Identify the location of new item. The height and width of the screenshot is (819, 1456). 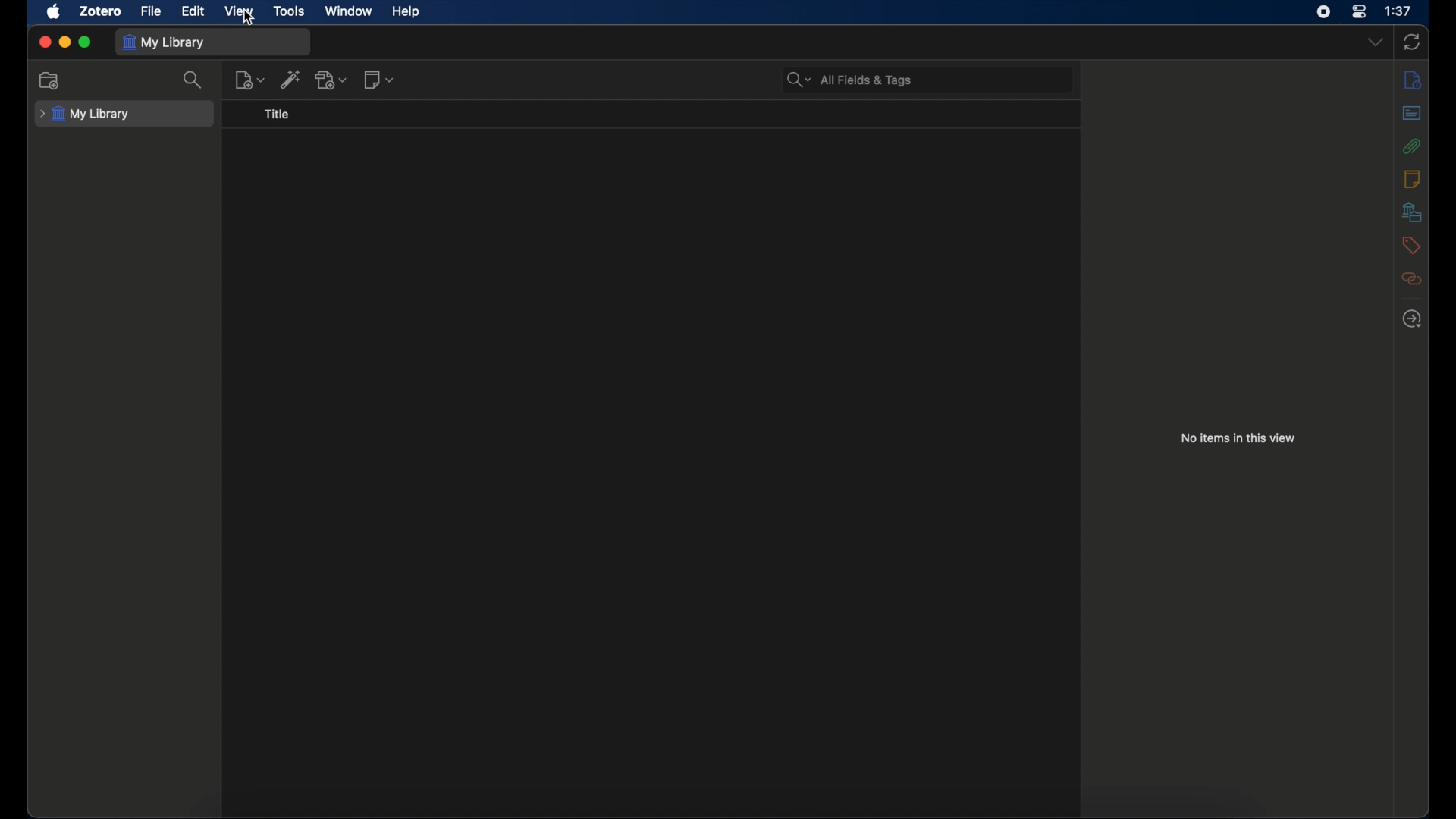
(251, 83).